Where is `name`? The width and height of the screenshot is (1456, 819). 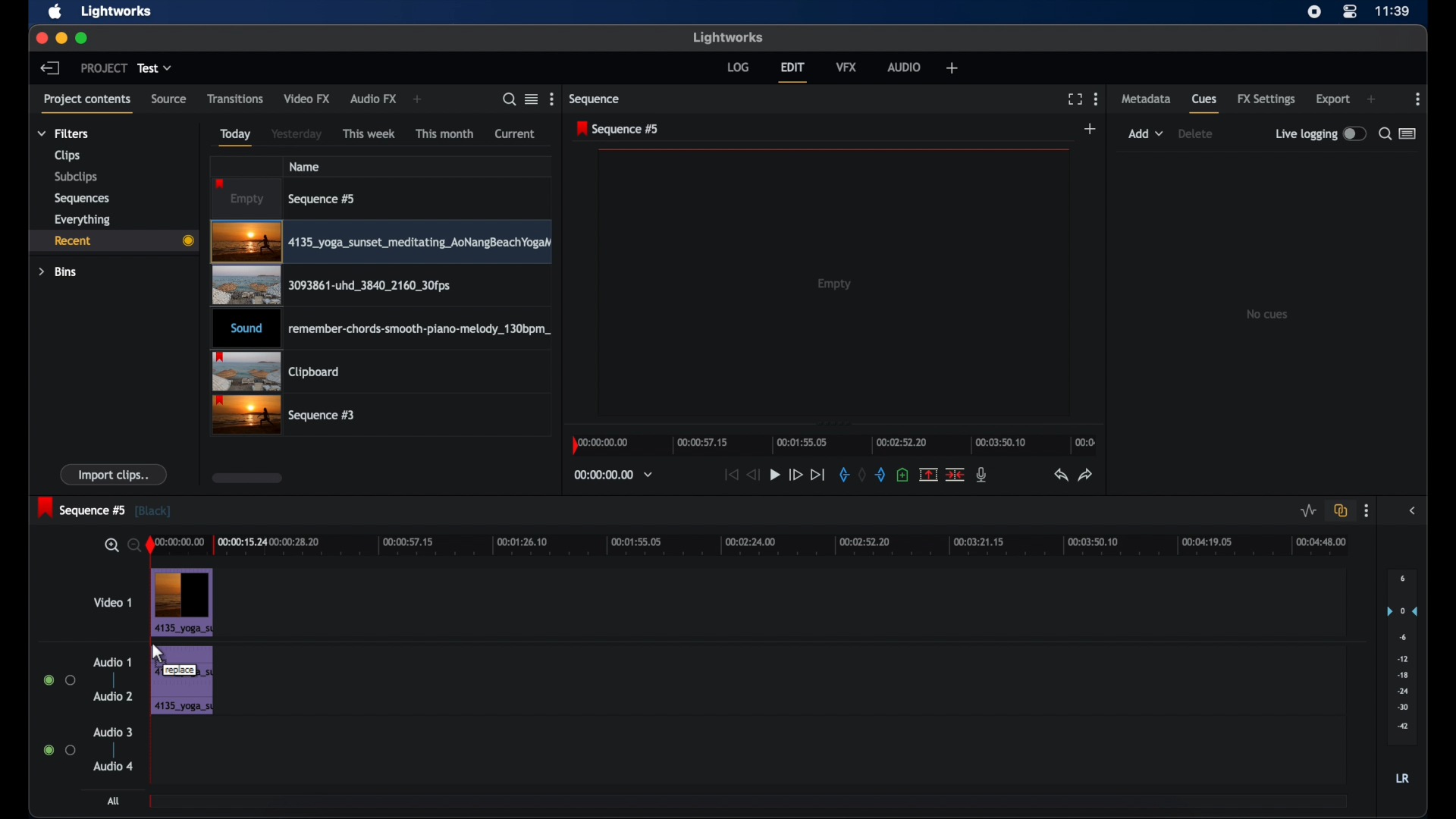
name is located at coordinates (306, 166).